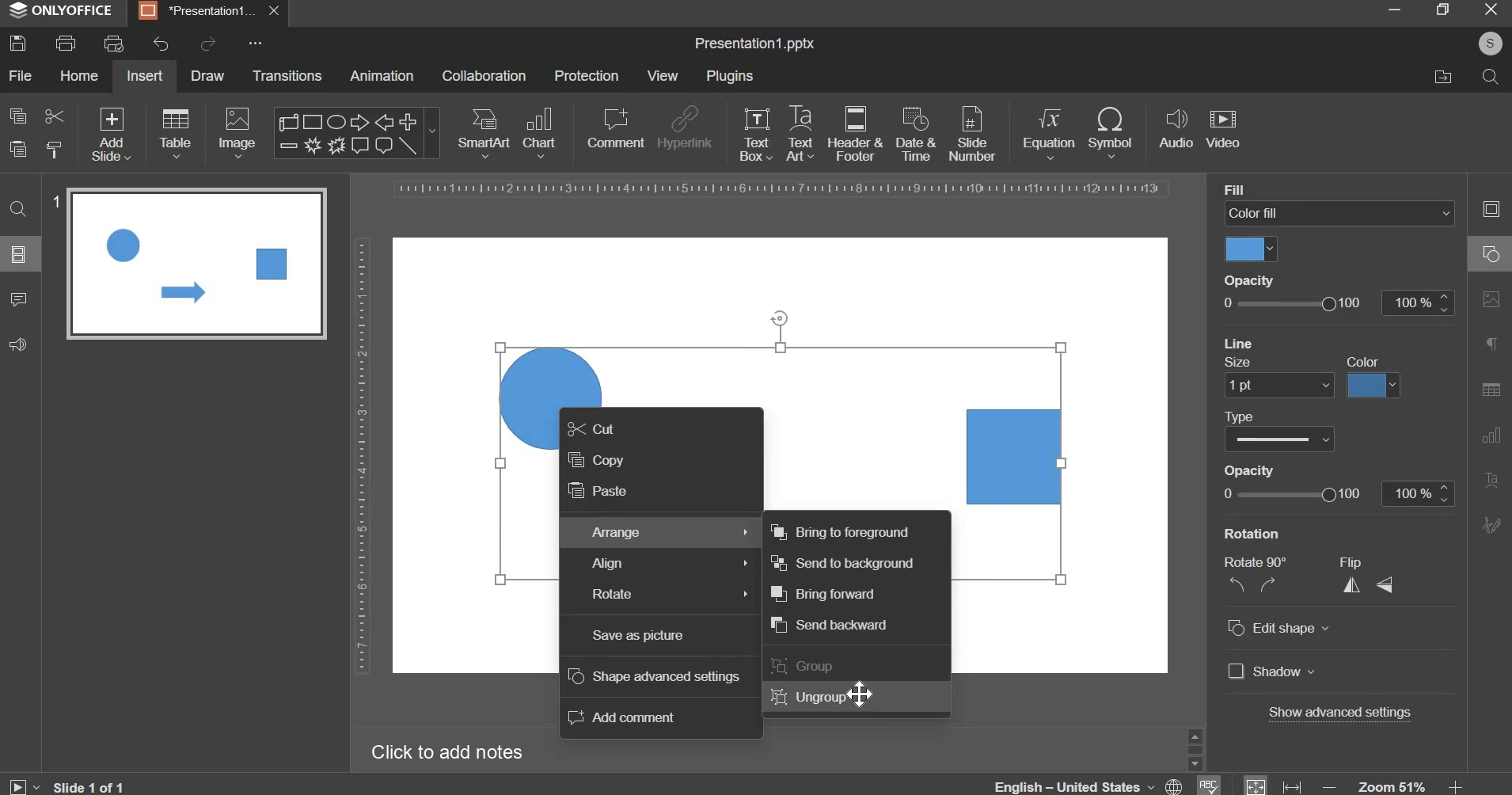 Image resolution: width=1512 pixels, height=795 pixels. I want to click on decrease zoom, so click(1330, 786).